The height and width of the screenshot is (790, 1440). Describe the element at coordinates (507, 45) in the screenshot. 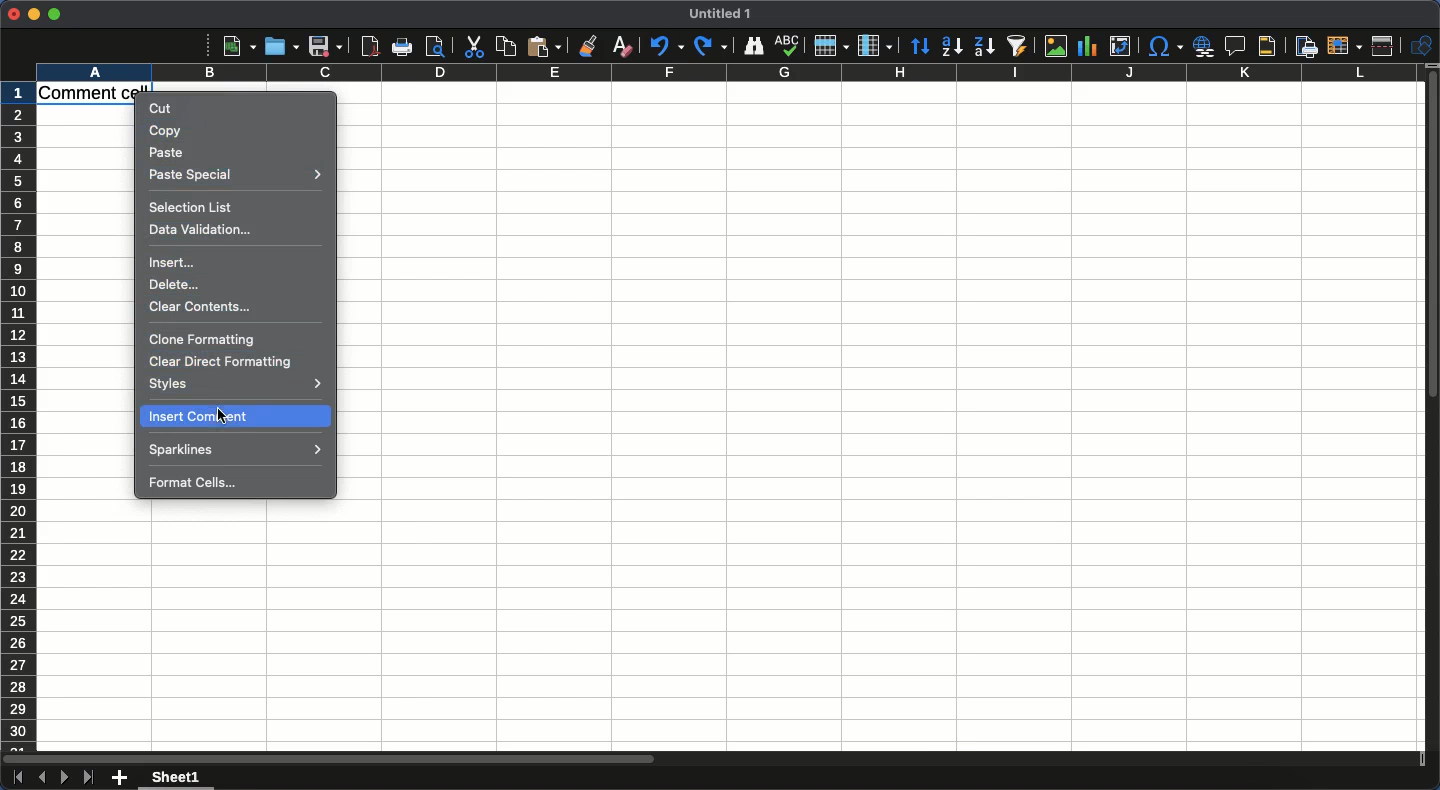

I see `Copy` at that location.